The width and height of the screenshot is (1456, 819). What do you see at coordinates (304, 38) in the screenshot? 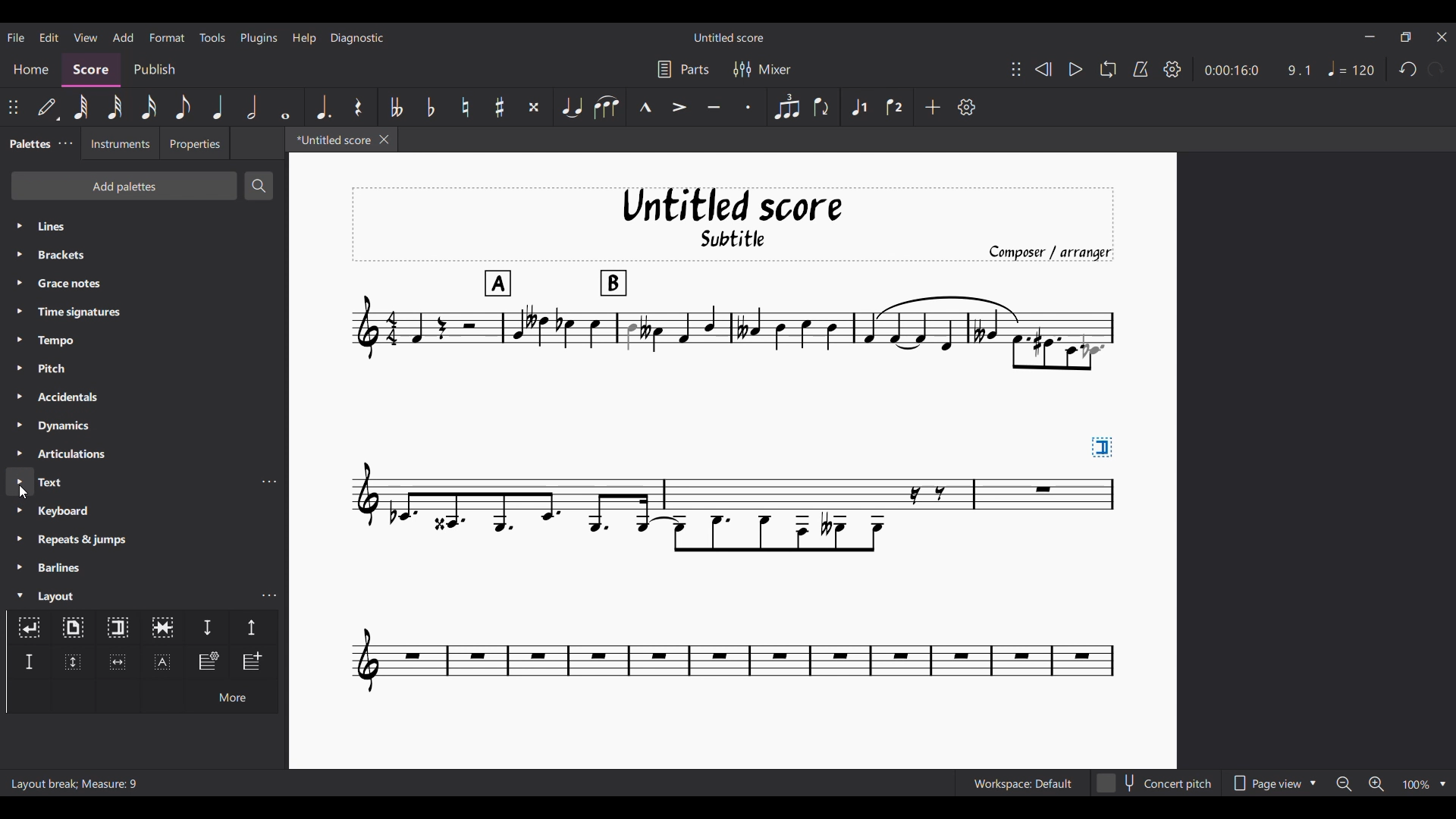
I see `Help menu` at bounding box center [304, 38].